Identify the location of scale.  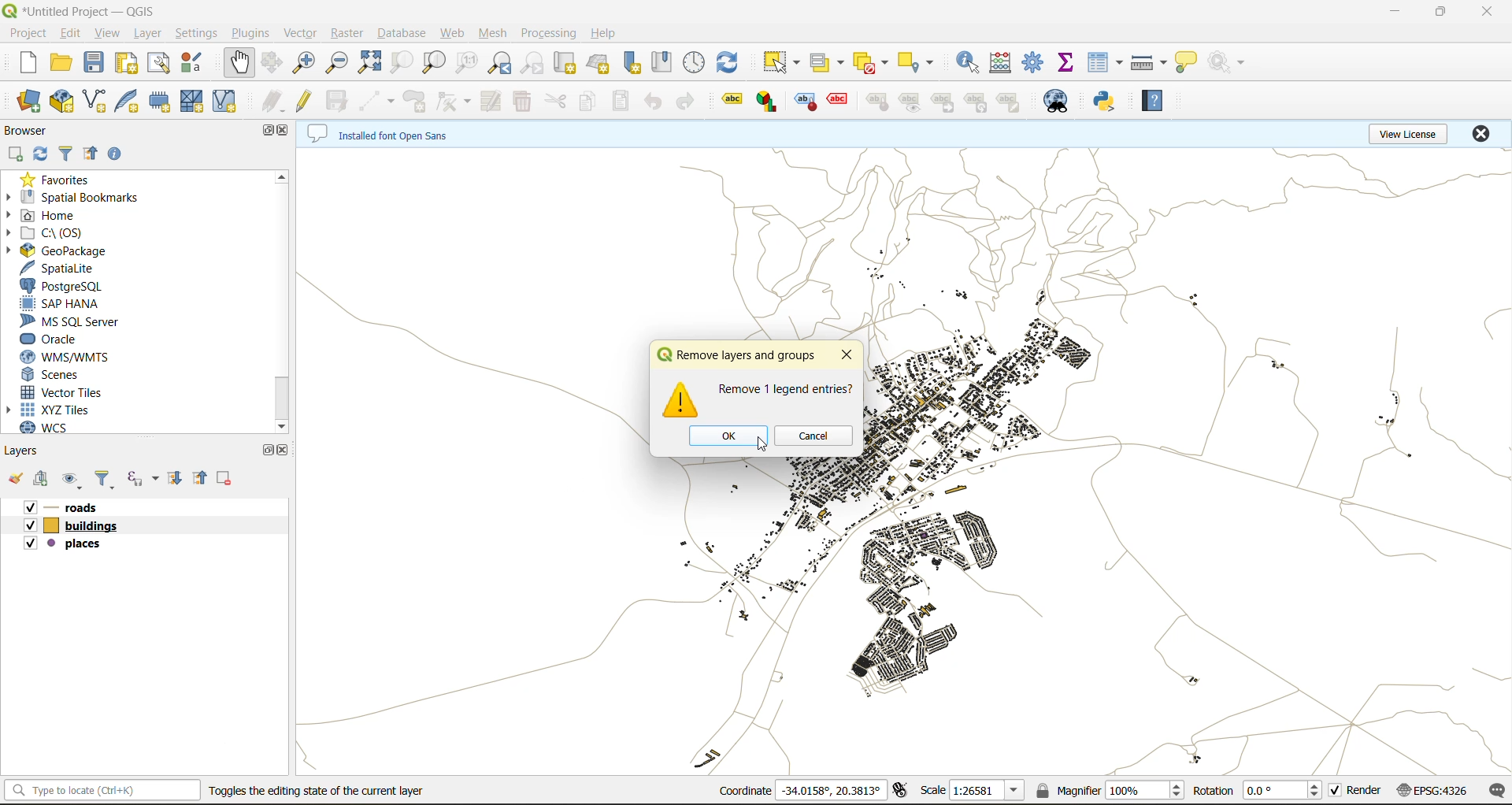
(973, 792).